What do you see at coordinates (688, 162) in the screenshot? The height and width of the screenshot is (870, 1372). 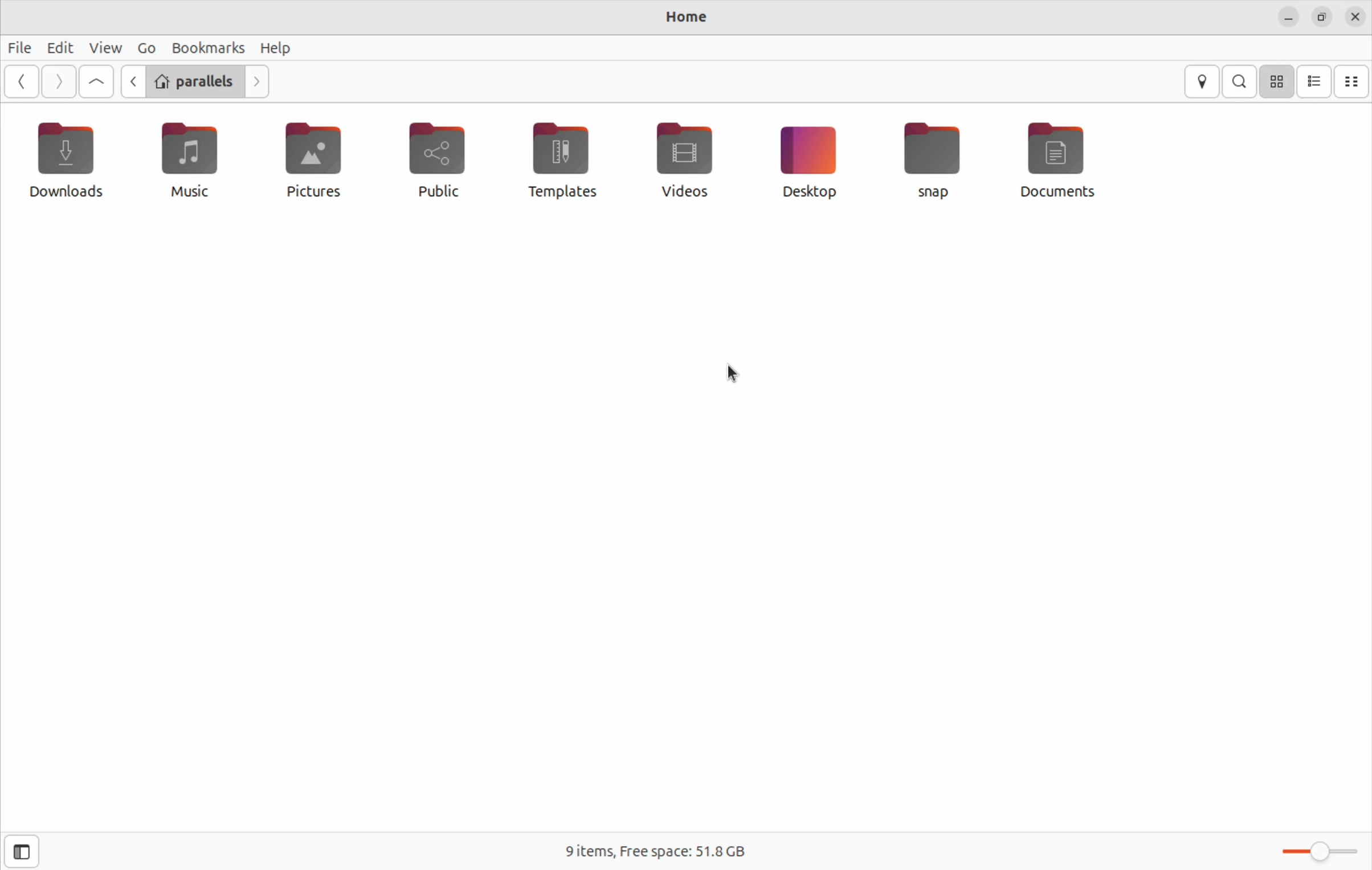 I see `videos` at bounding box center [688, 162].